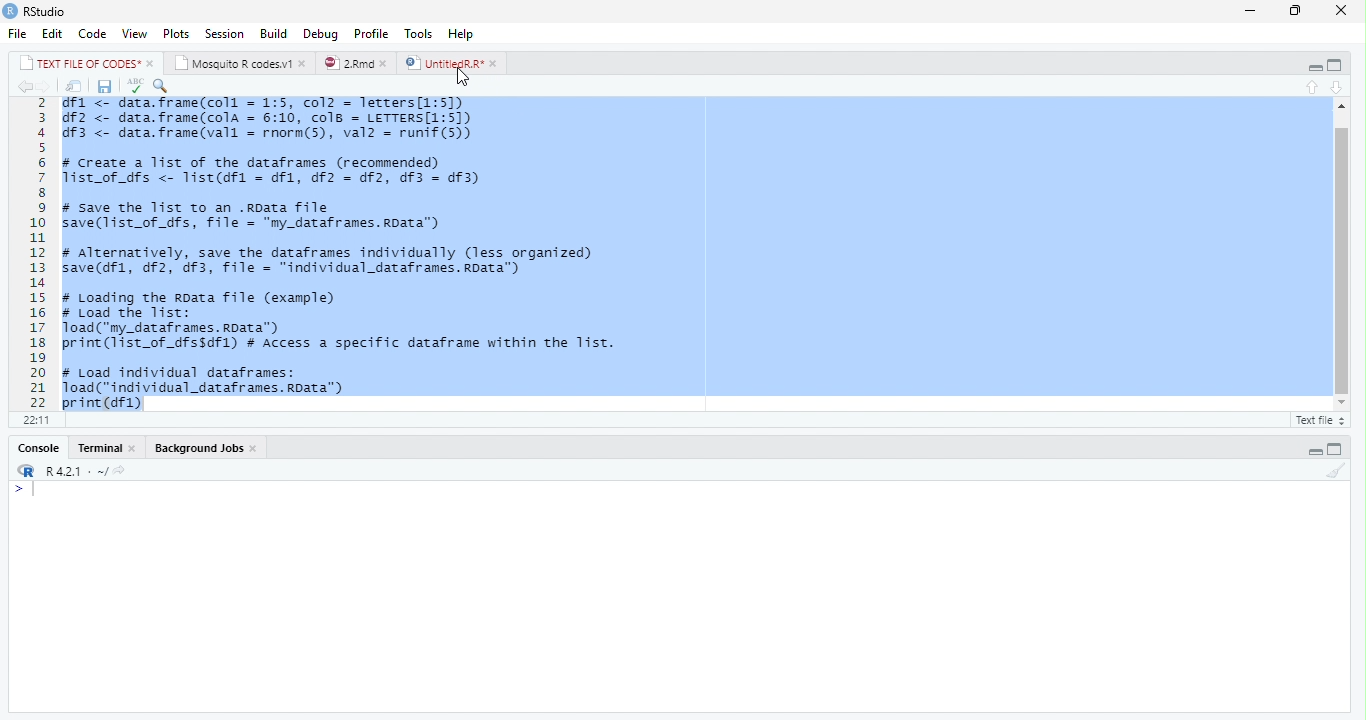 Image resolution: width=1366 pixels, height=720 pixels. Describe the element at coordinates (355, 63) in the screenshot. I see `2.Rmd` at that location.